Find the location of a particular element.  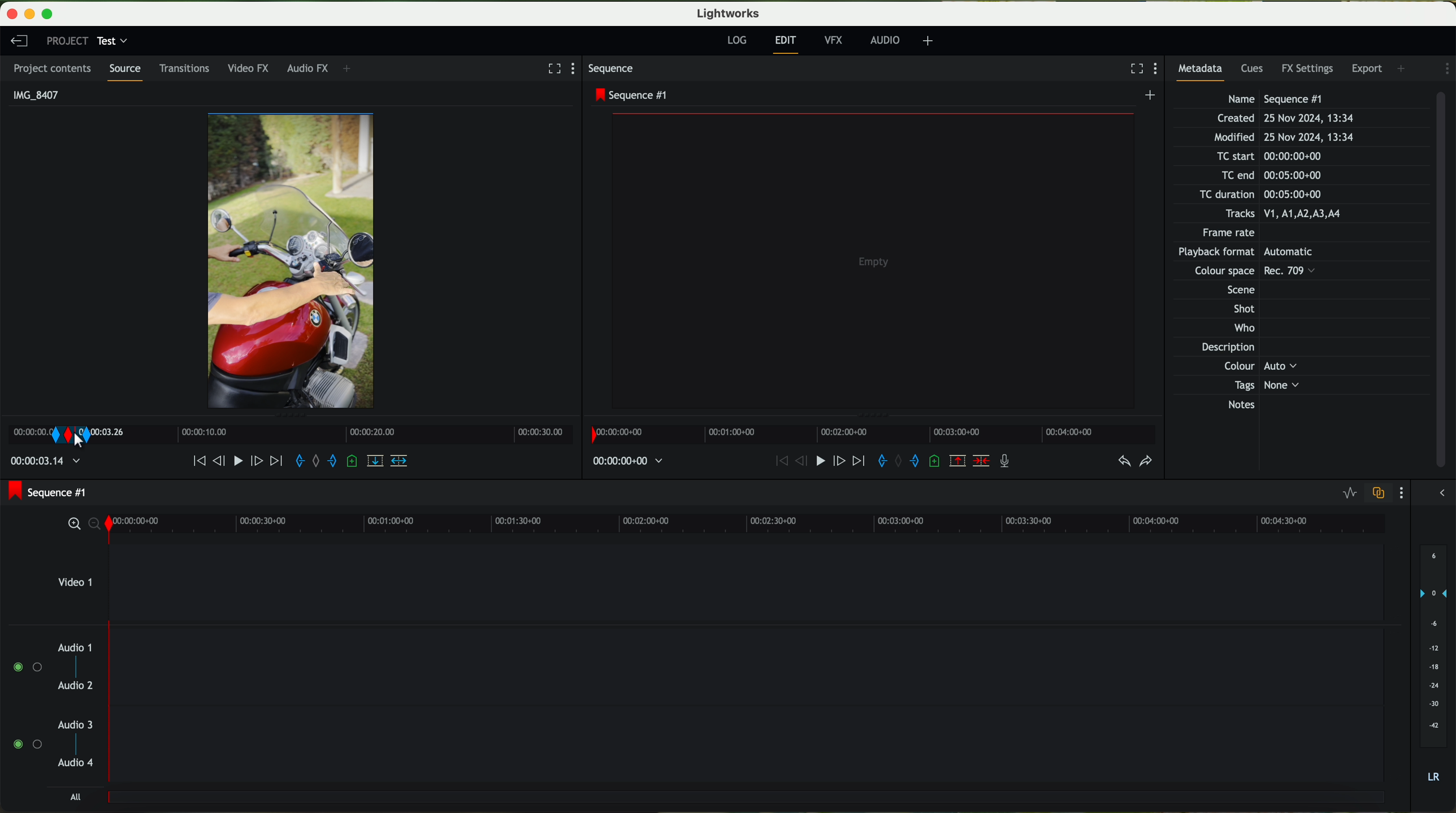

video preview is located at coordinates (873, 260).